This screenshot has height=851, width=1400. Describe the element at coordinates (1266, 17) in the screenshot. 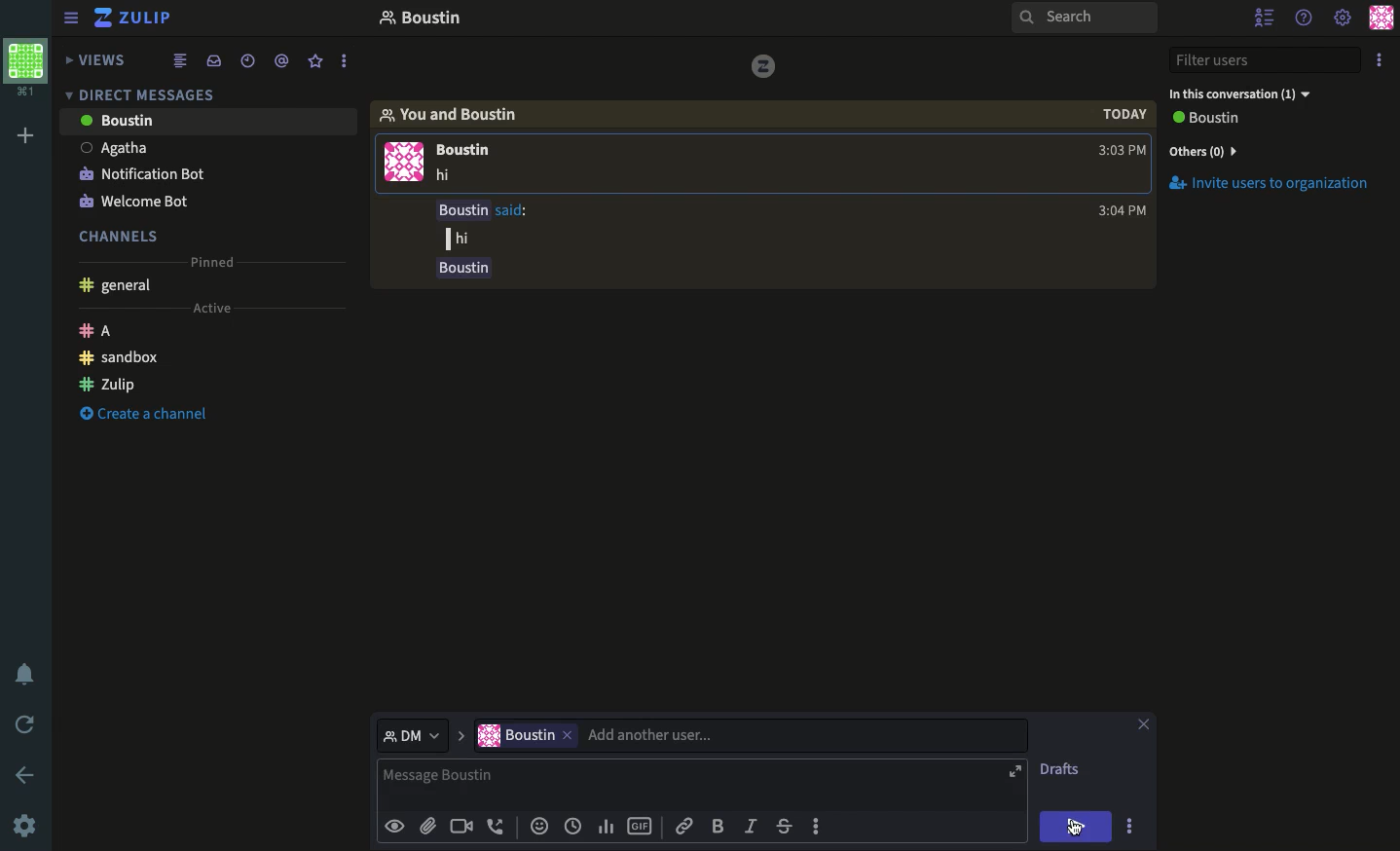

I see `Hide users list` at that location.